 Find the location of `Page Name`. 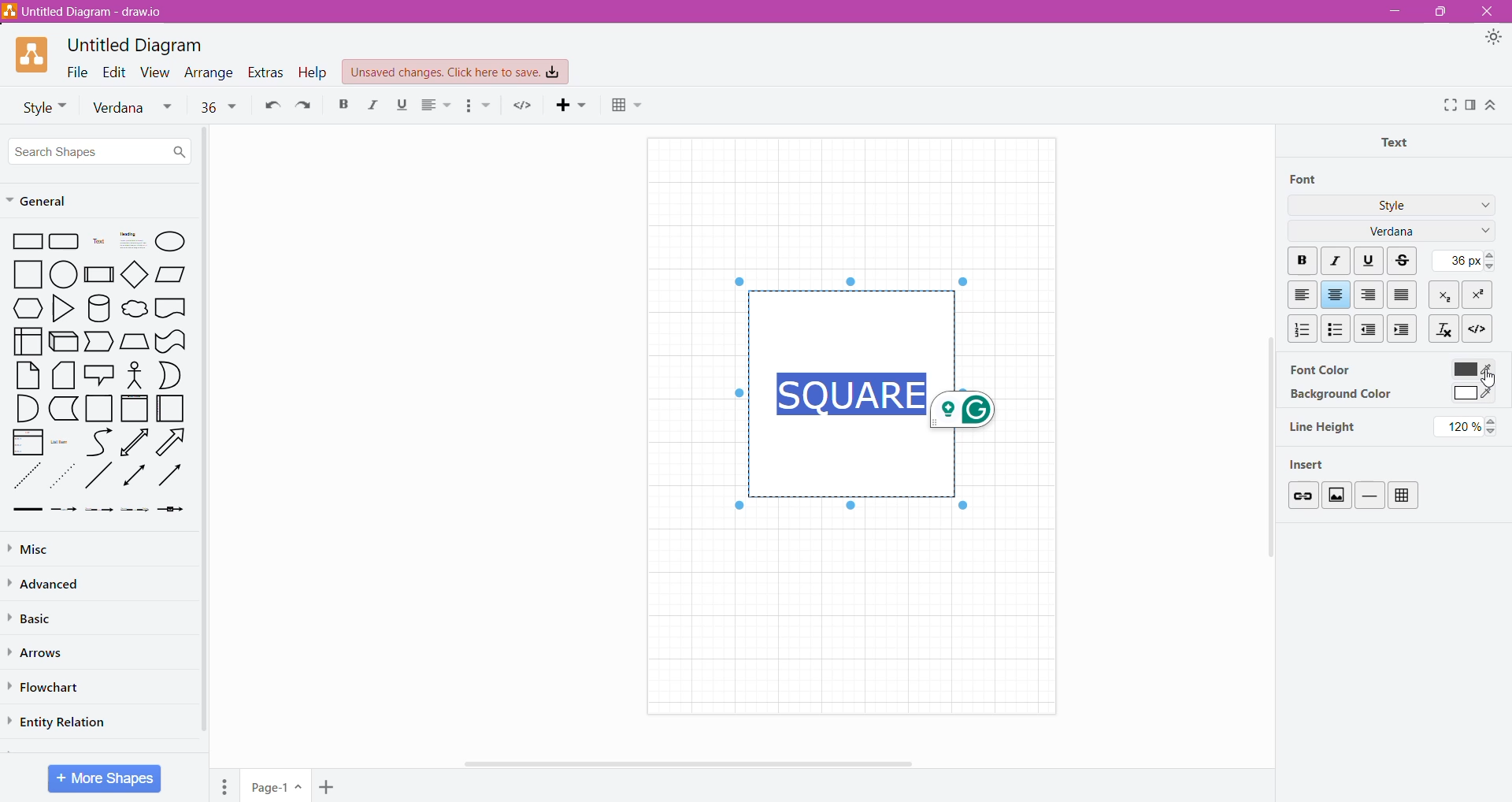

Page Name is located at coordinates (276, 787).